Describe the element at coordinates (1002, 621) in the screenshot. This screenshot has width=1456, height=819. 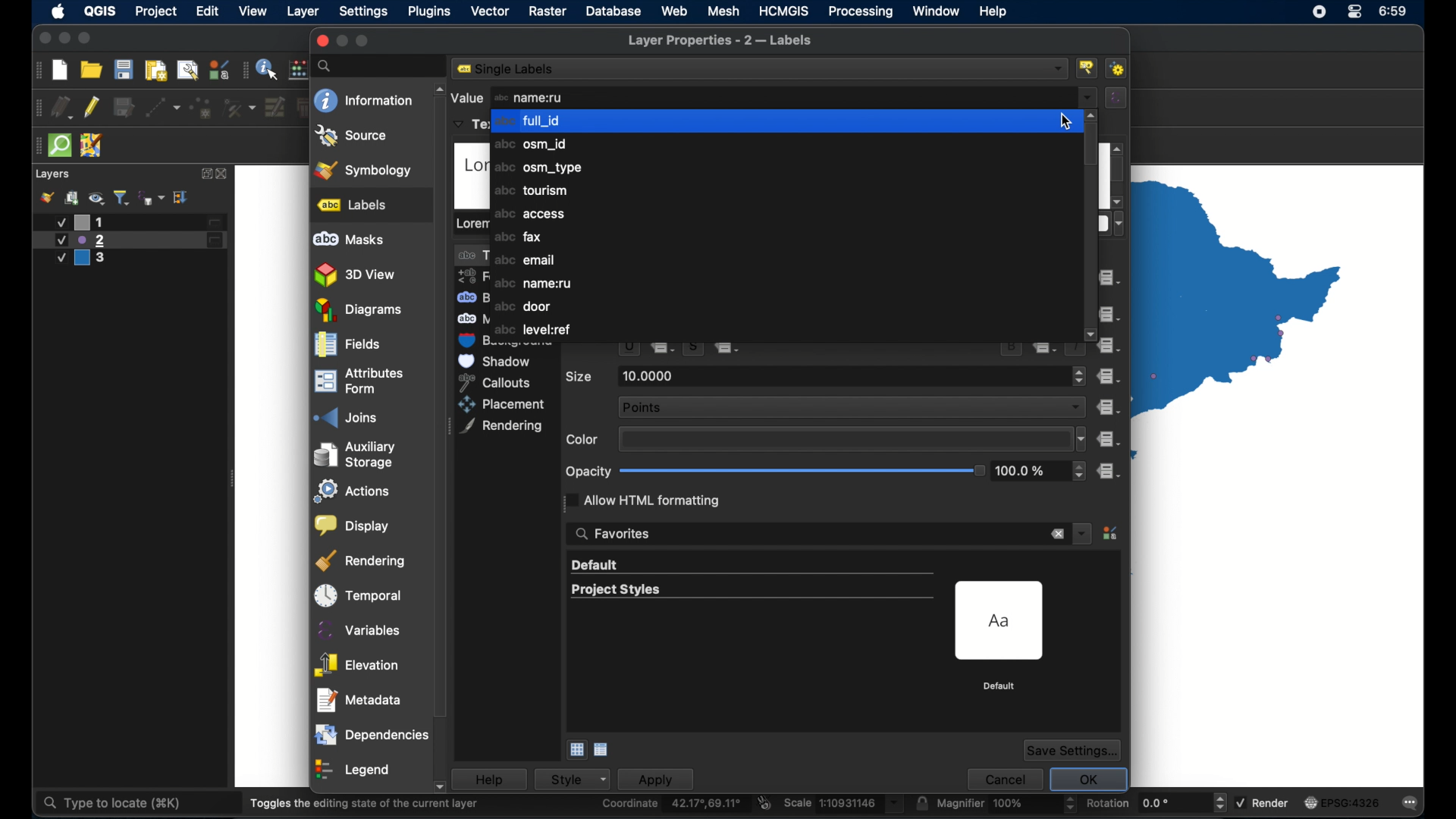
I see `preview` at that location.